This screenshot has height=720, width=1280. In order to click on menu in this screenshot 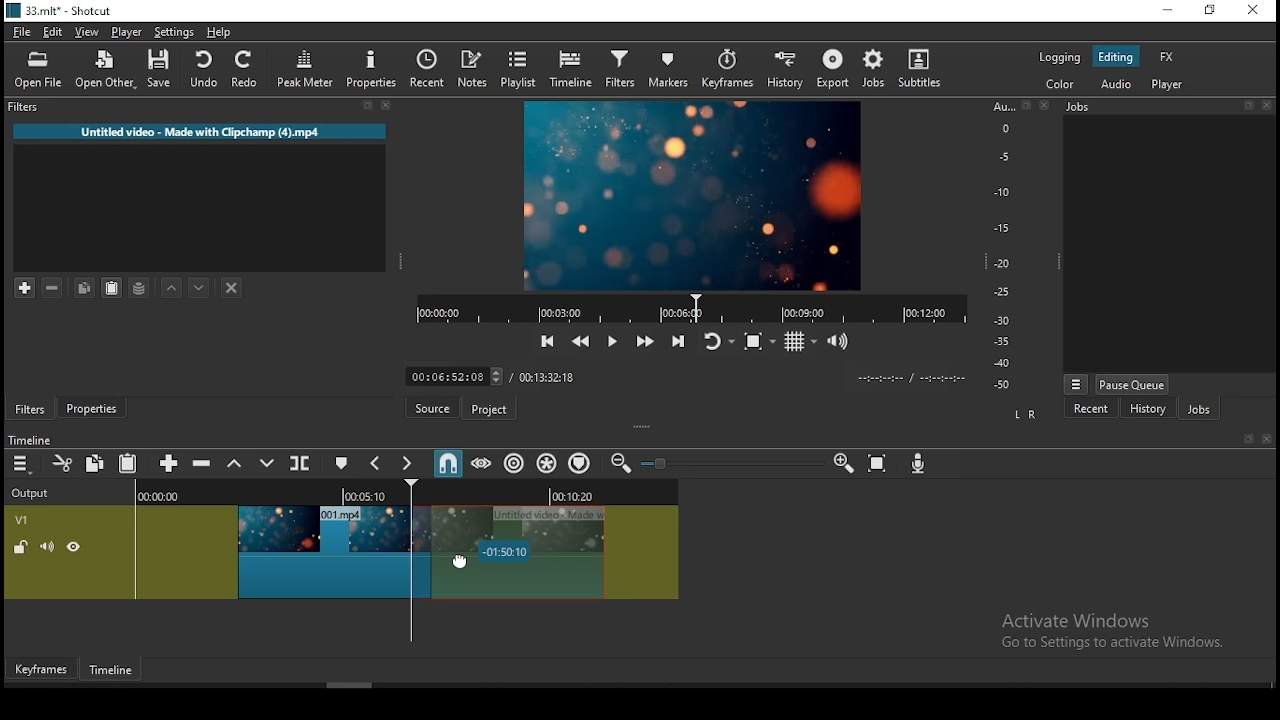, I will do `click(22, 464)`.